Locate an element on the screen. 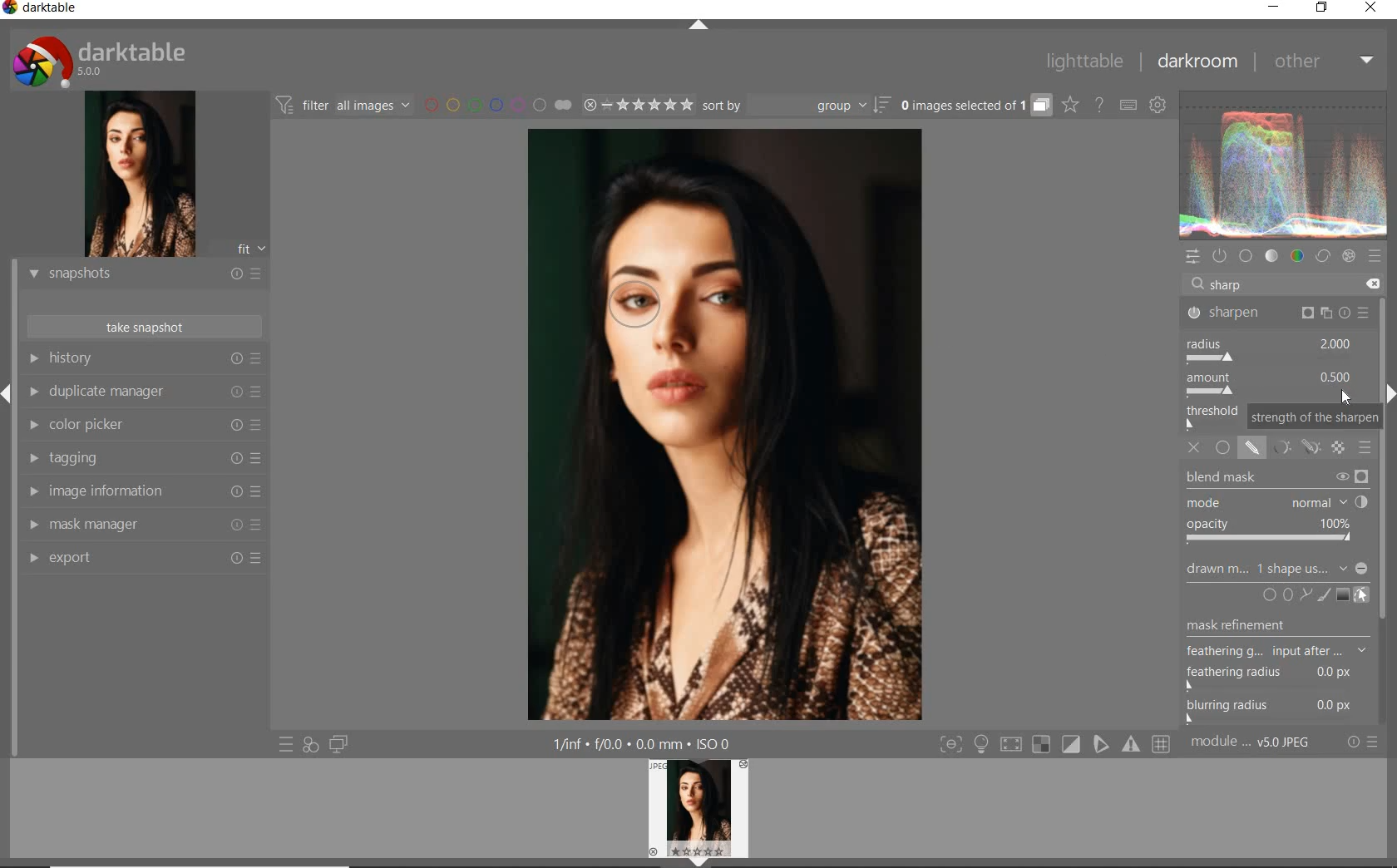  Preview color is located at coordinates (1284, 162).